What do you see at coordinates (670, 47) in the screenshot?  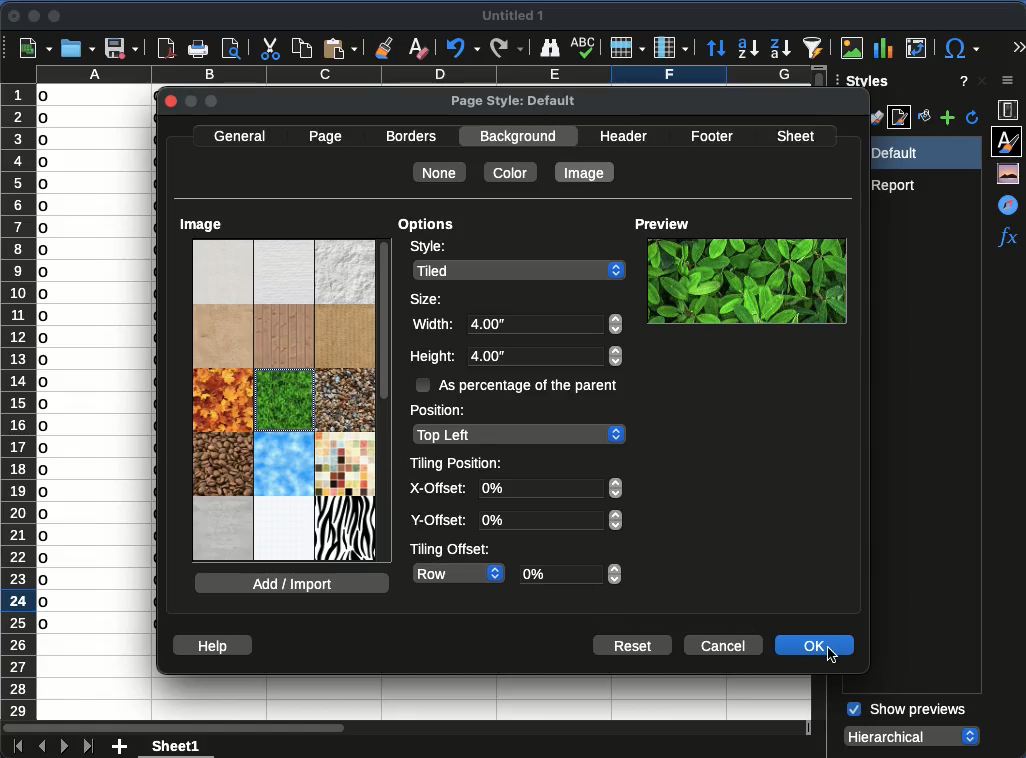 I see `column` at bounding box center [670, 47].